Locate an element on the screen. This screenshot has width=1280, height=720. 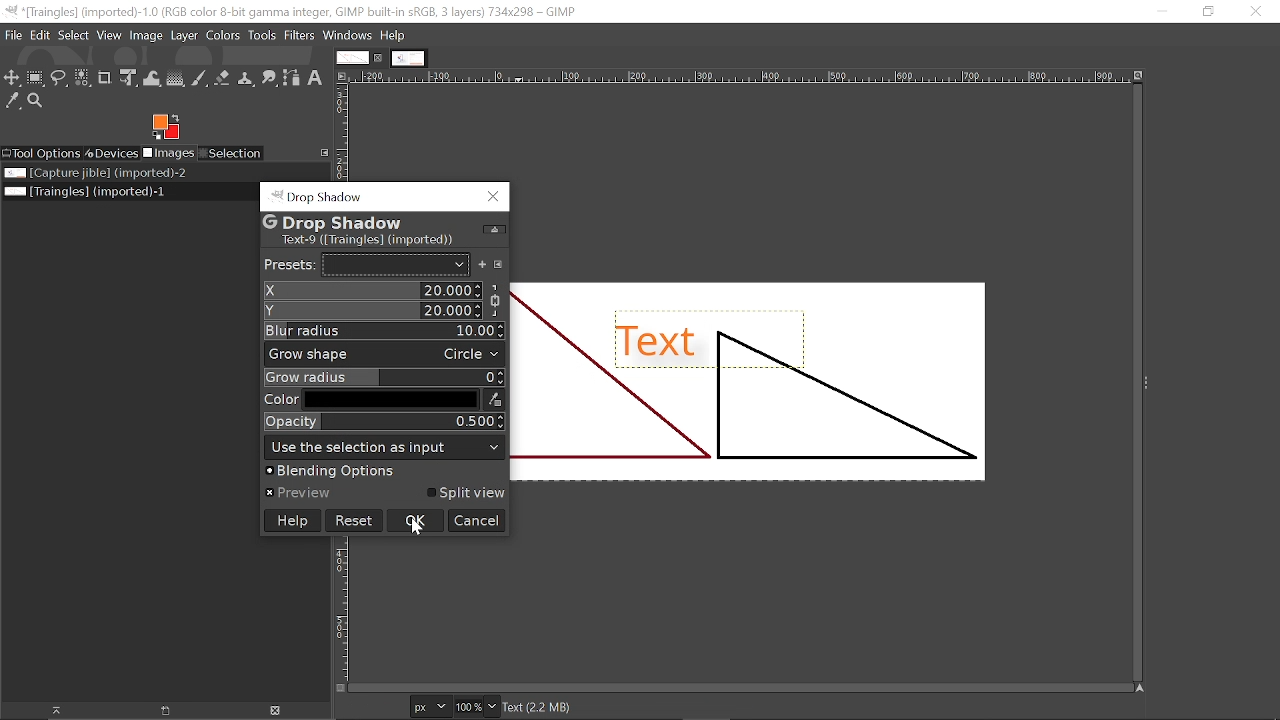
File is located at coordinates (13, 35).